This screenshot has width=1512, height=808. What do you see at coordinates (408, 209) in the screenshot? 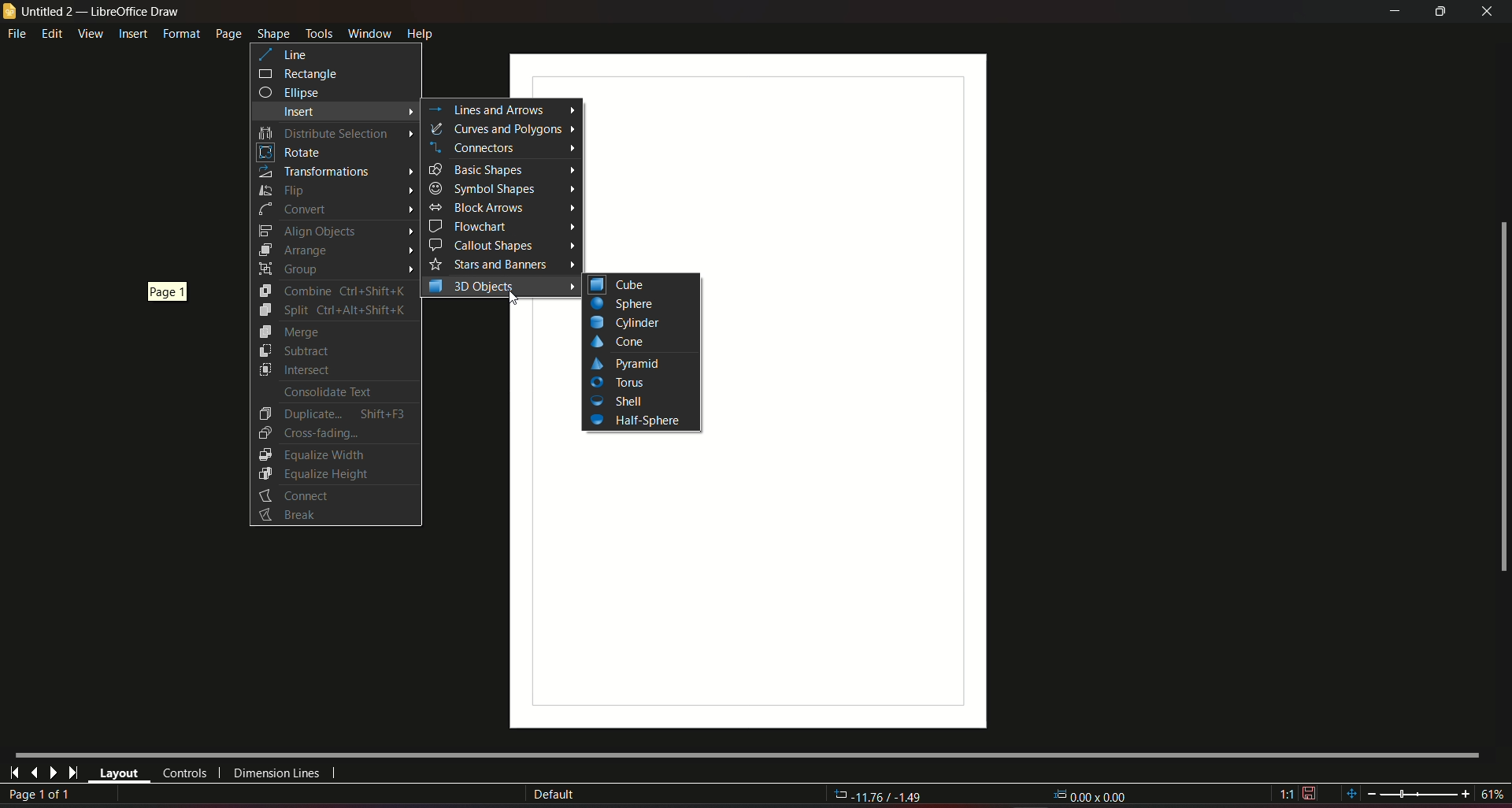
I see `Arrow` at bounding box center [408, 209].